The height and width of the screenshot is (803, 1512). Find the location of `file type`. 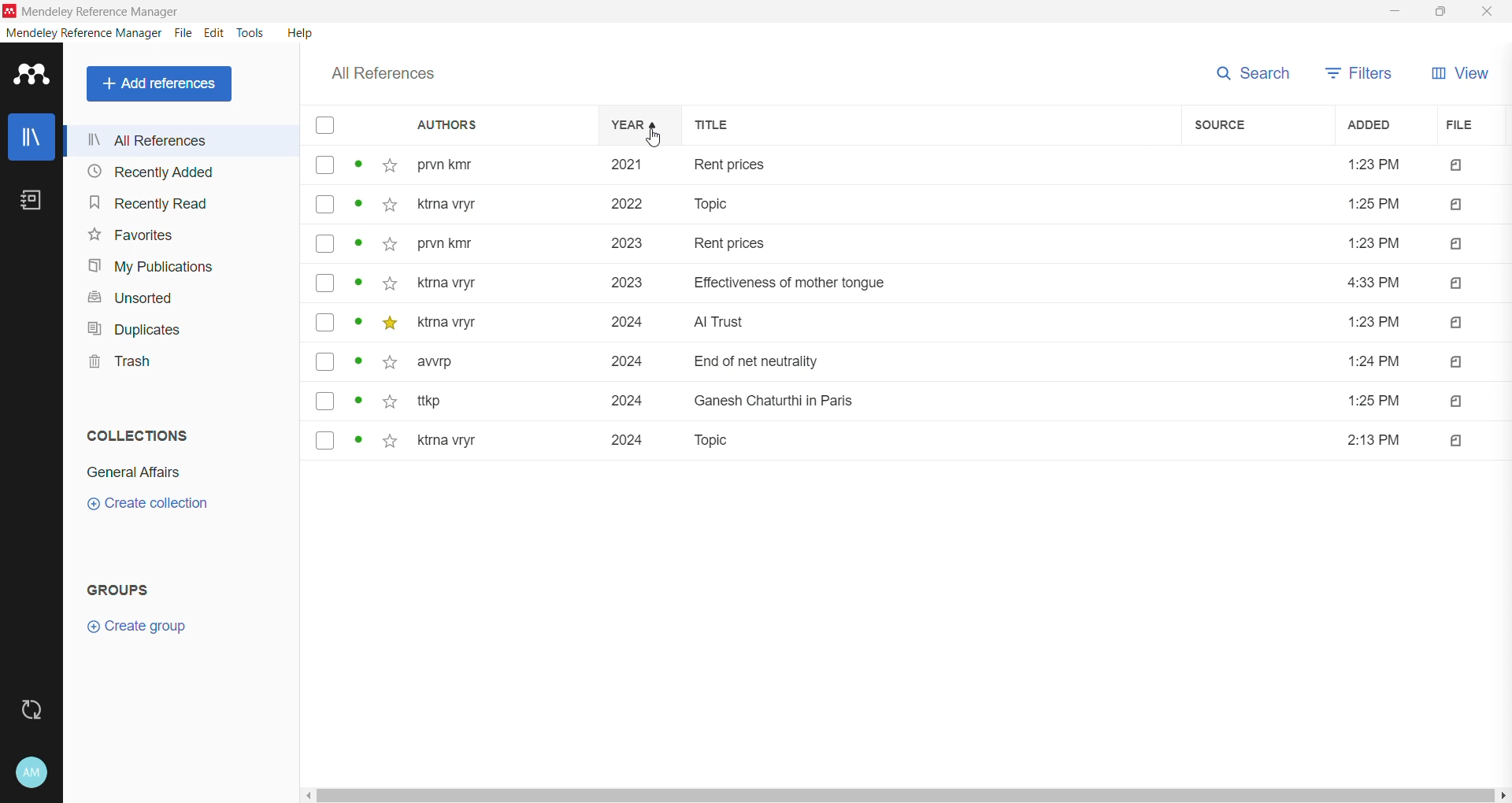

file type is located at coordinates (1458, 440).